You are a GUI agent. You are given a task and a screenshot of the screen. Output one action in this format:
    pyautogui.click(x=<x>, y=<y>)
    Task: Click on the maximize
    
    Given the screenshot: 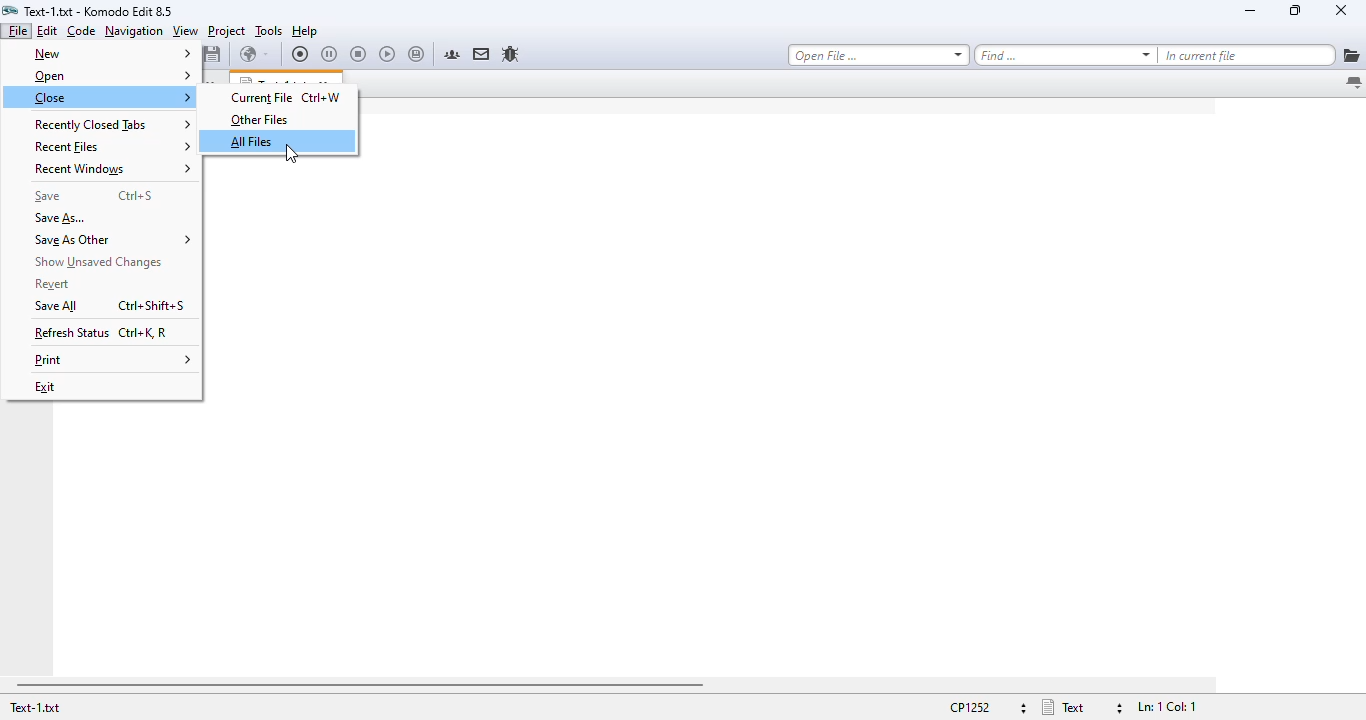 What is the action you would take?
    pyautogui.click(x=1294, y=9)
    